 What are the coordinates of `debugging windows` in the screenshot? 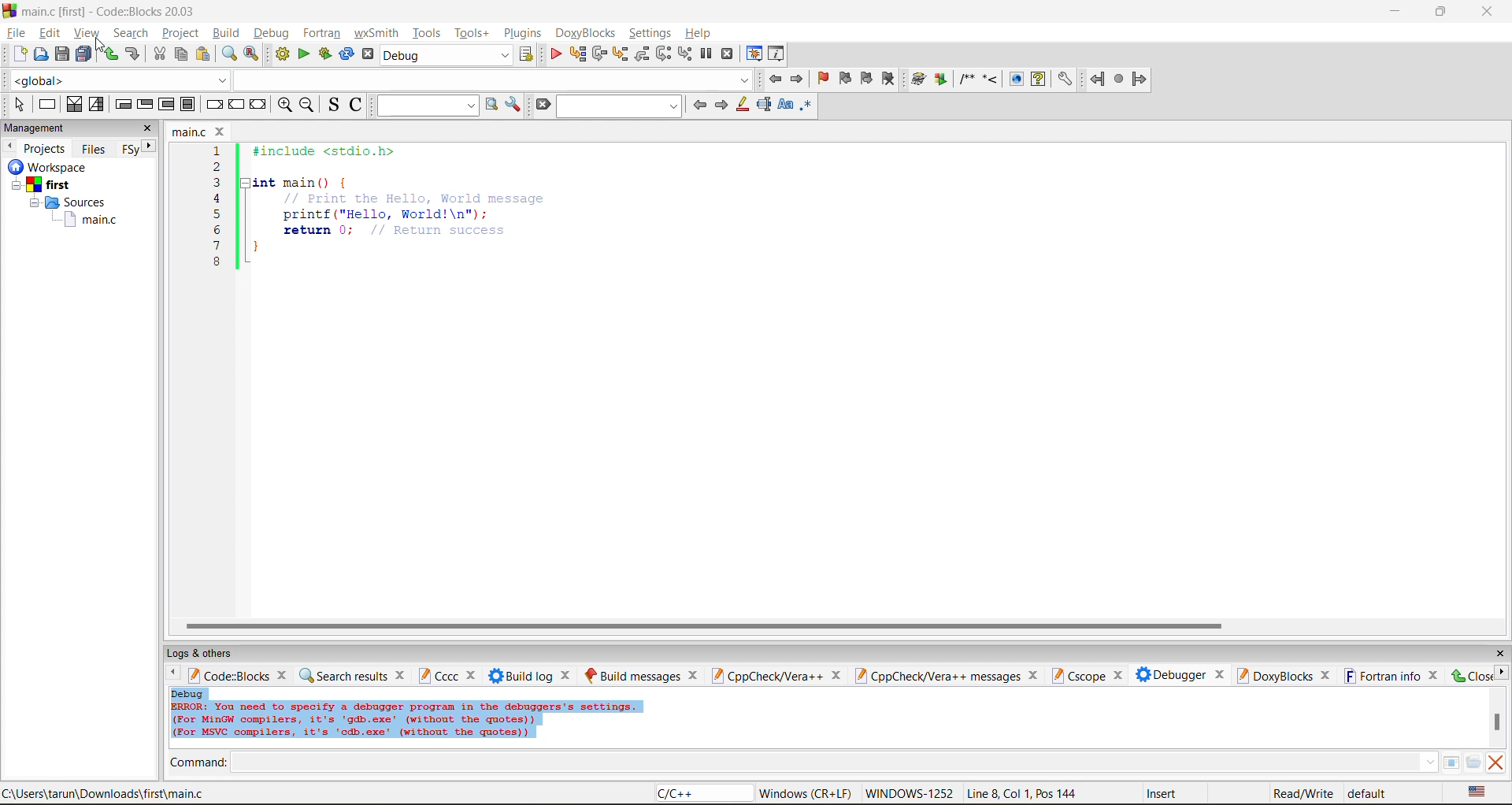 It's located at (754, 54).